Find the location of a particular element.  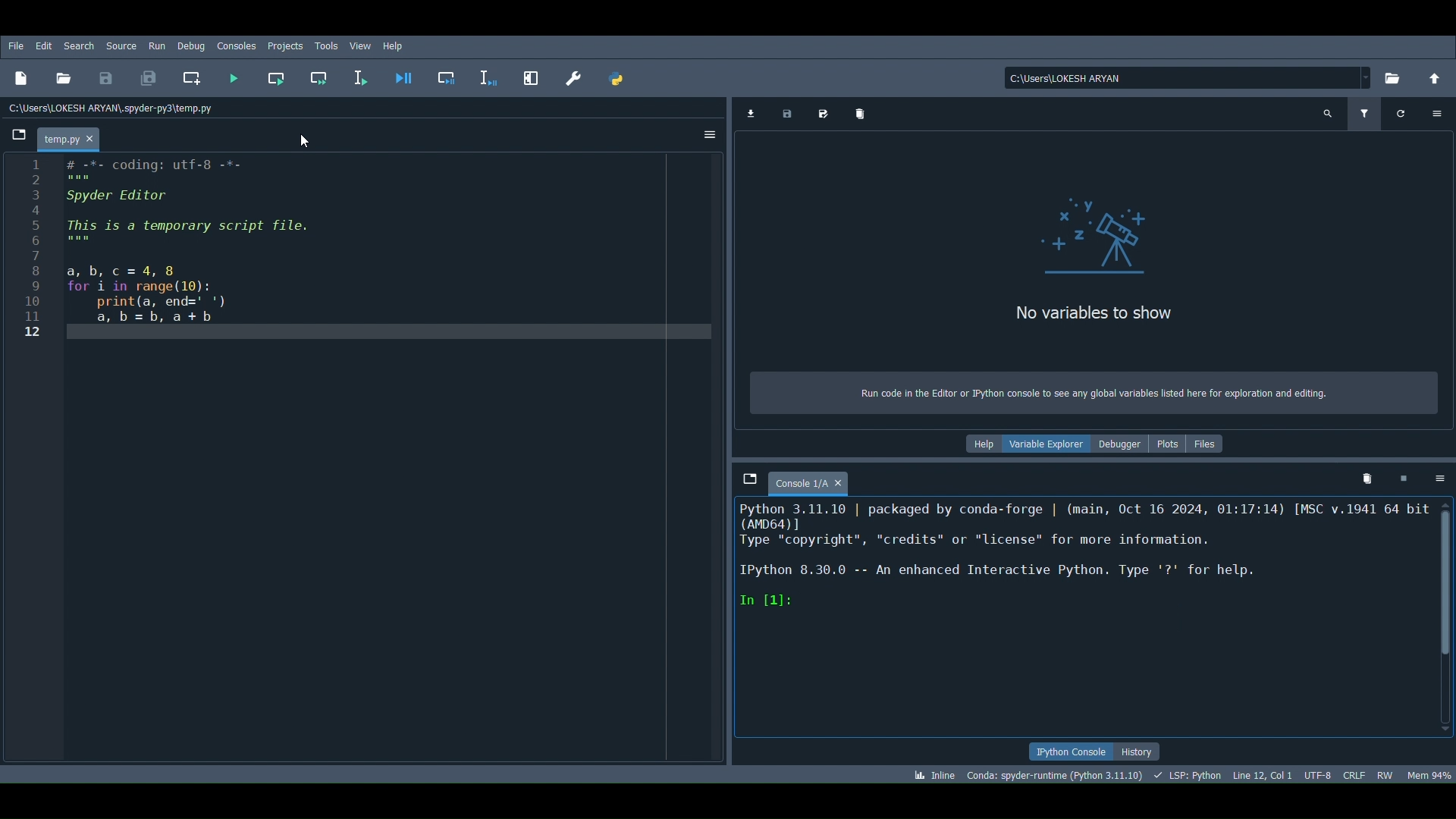

Global memory usage is located at coordinates (1428, 774).